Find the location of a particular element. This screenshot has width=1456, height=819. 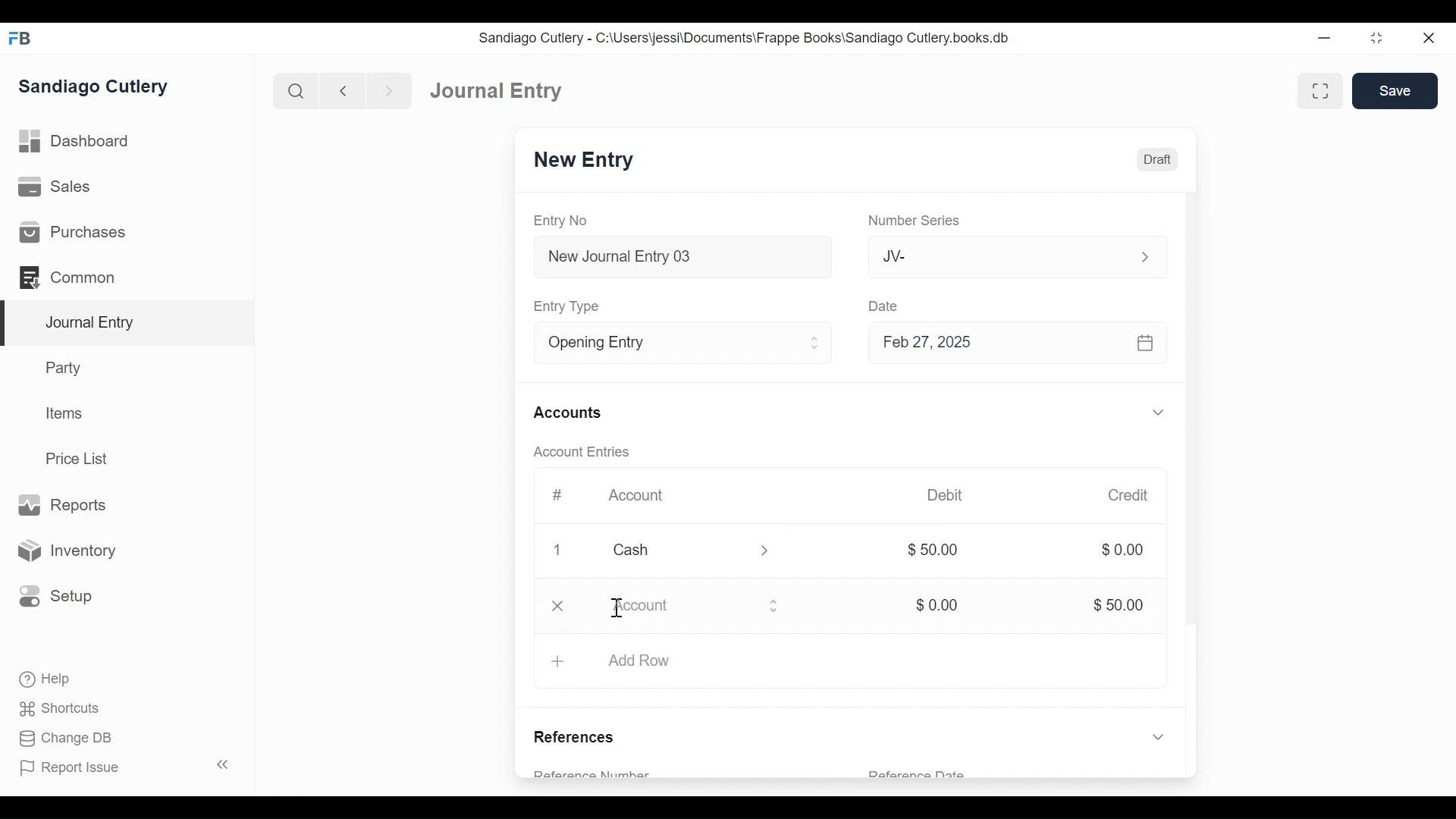

Account is located at coordinates (639, 496).